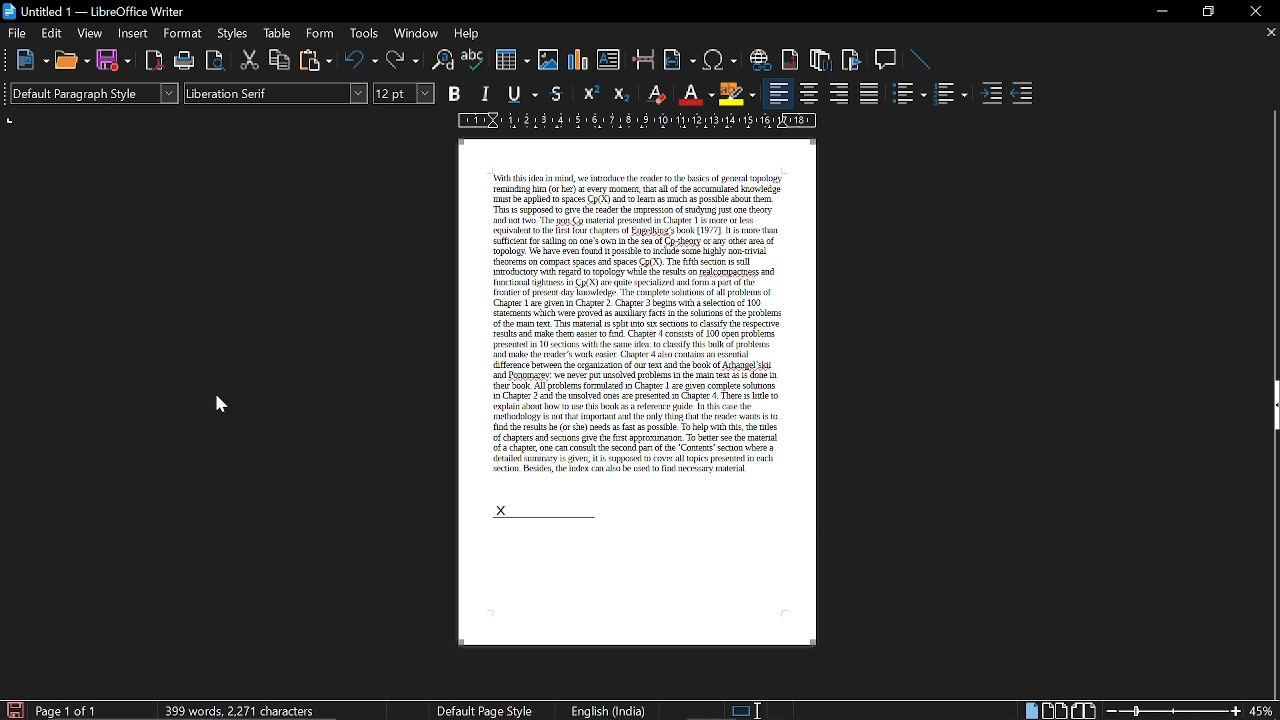 This screenshot has width=1280, height=720. I want to click on justified, so click(869, 94).